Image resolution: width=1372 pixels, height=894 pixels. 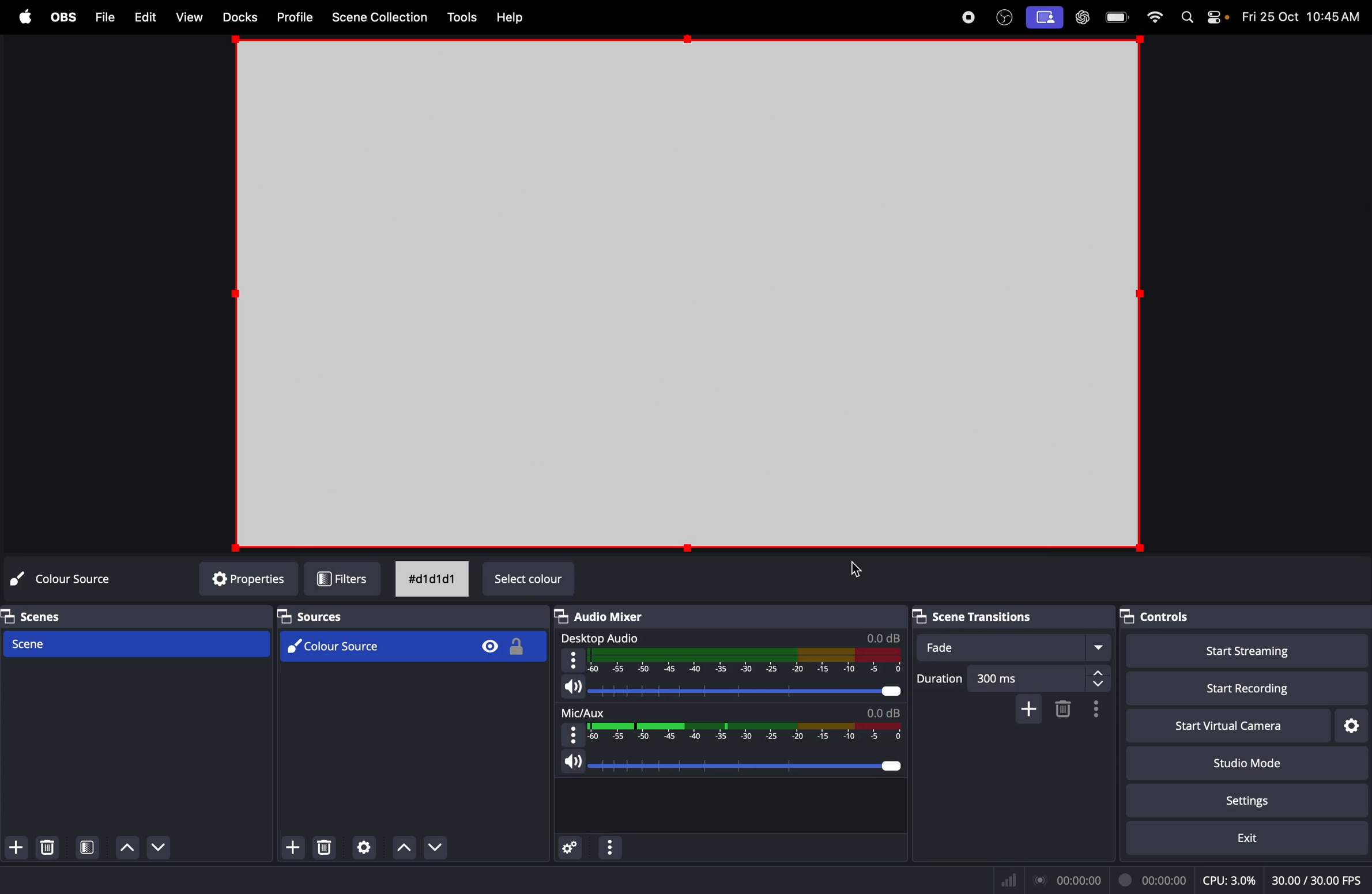 What do you see at coordinates (1259, 798) in the screenshot?
I see `setting` at bounding box center [1259, 798].